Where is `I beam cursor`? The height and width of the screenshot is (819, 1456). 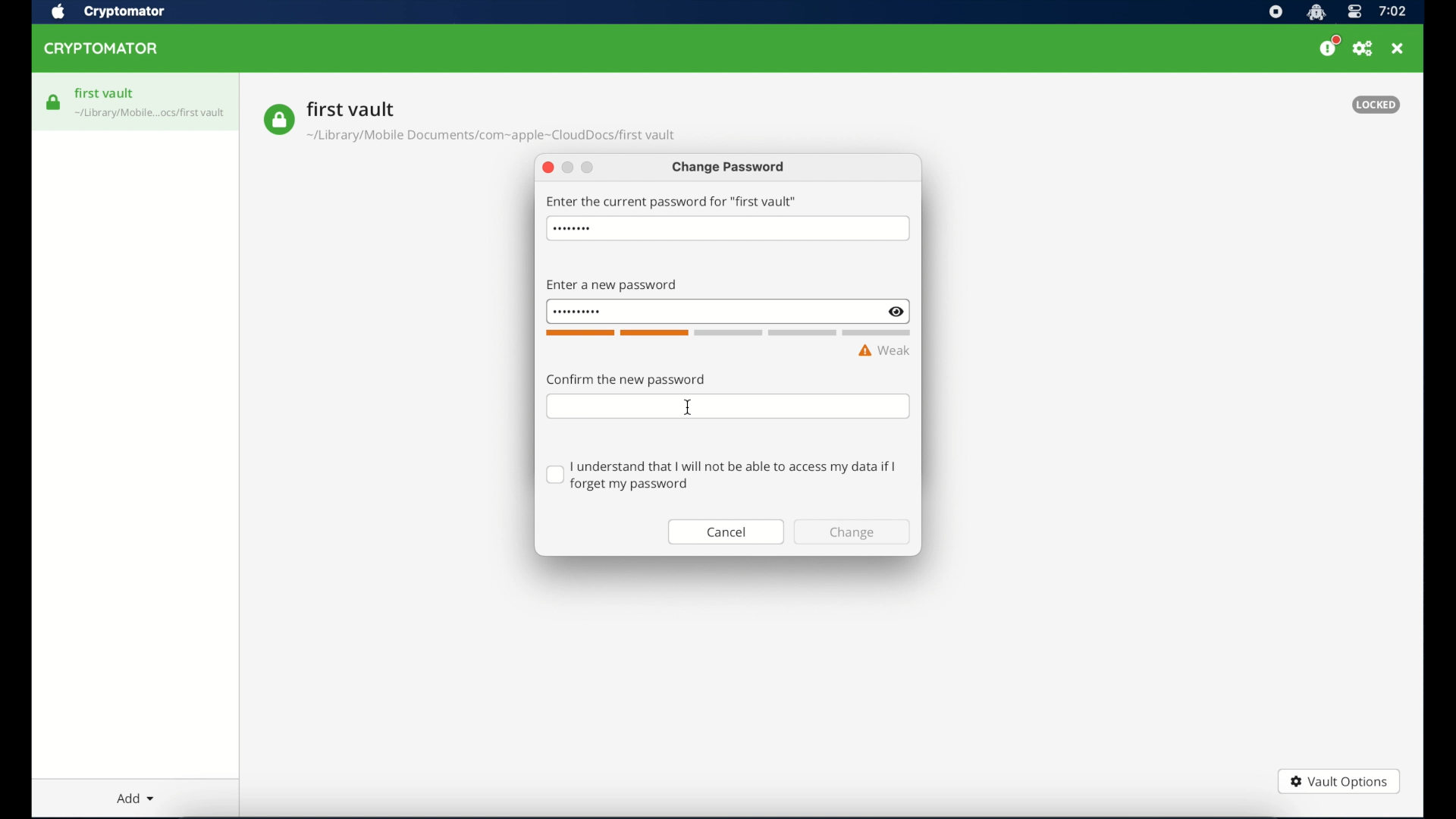
I beam cursor is located at coordinates (689, 407).